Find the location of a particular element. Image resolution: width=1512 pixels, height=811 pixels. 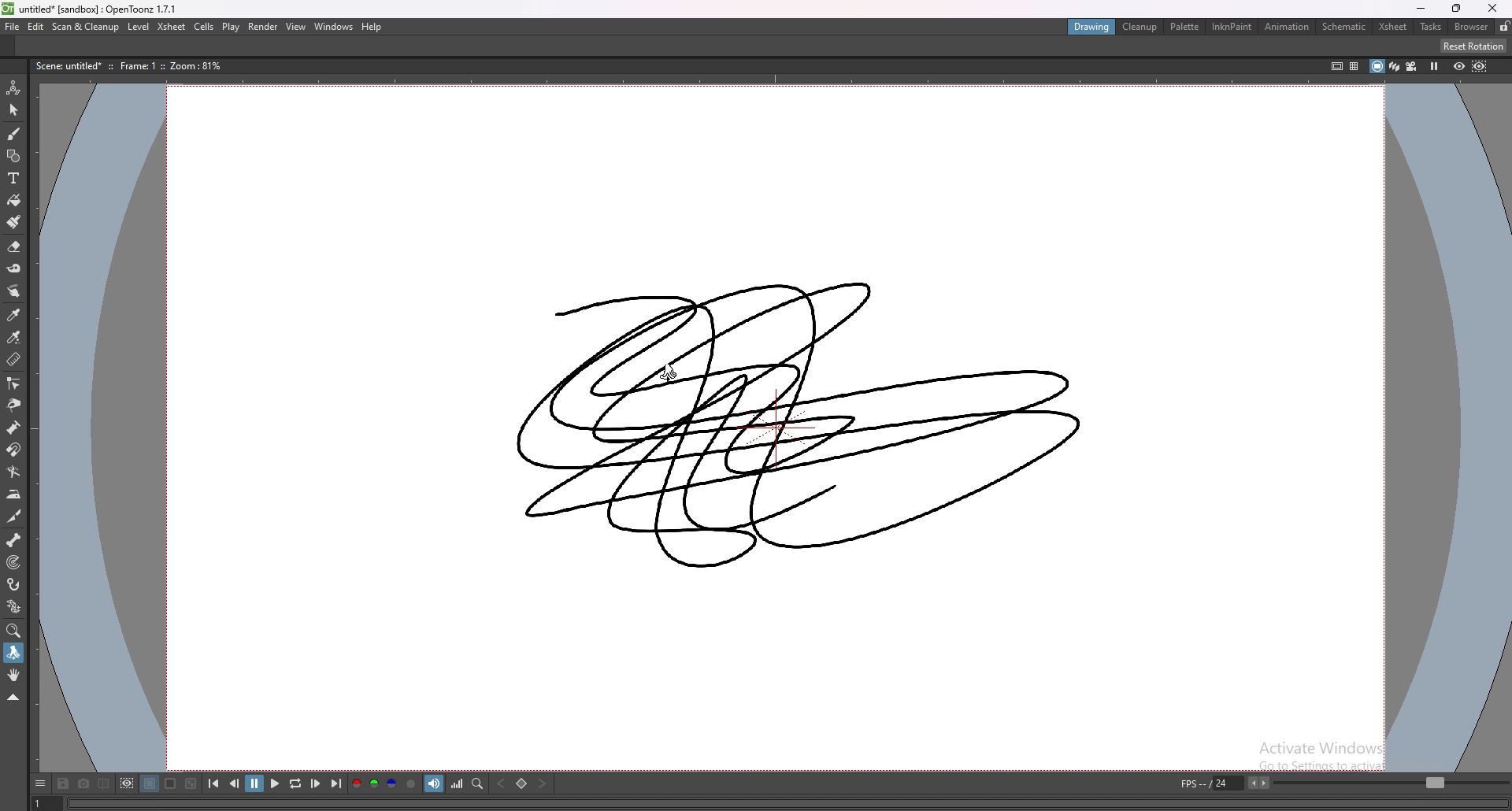

sub camera preview is located at coordinates (1480, 66).